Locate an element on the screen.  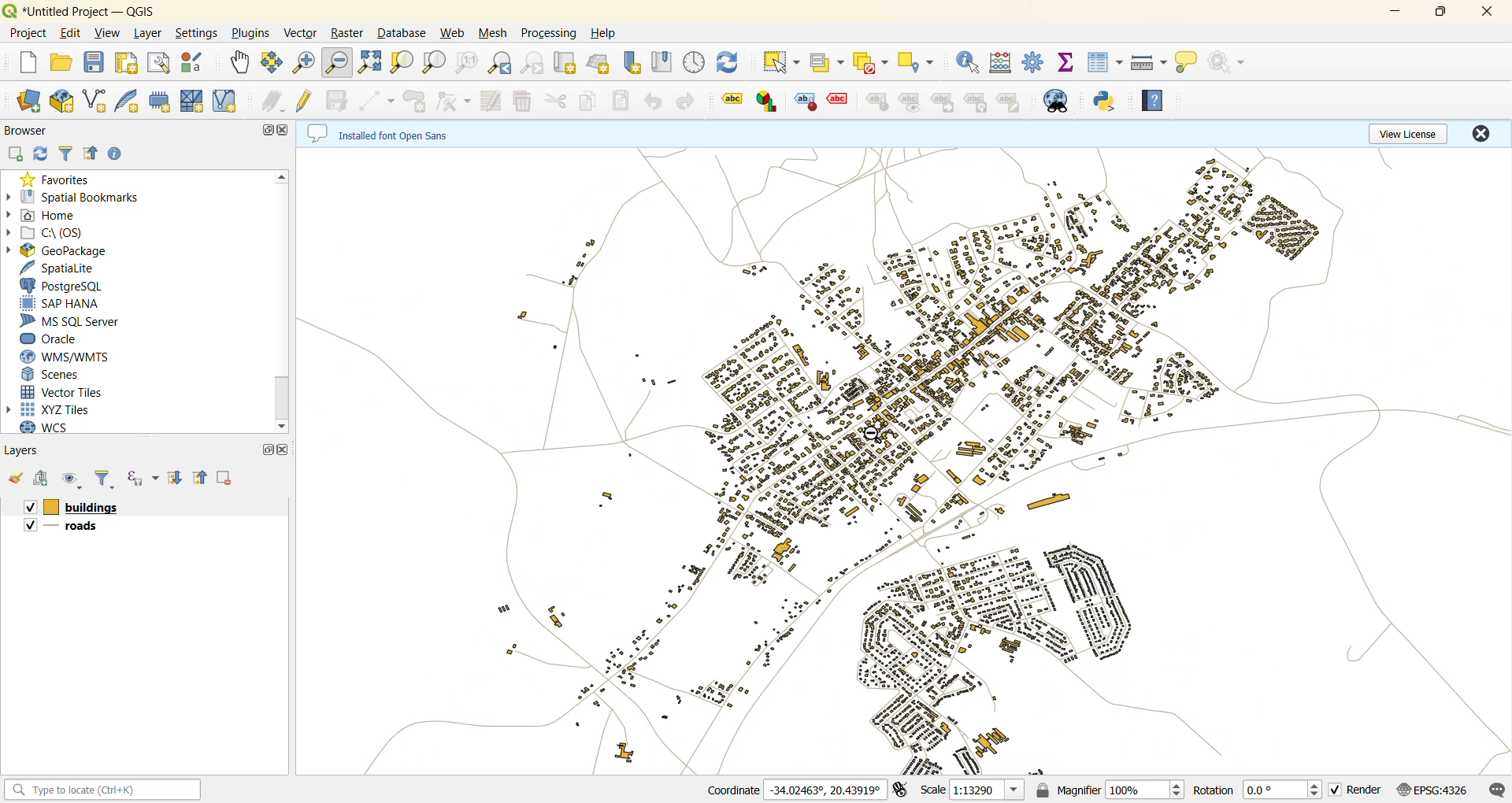
new spatialite layer is located at coordinates (130, 102).